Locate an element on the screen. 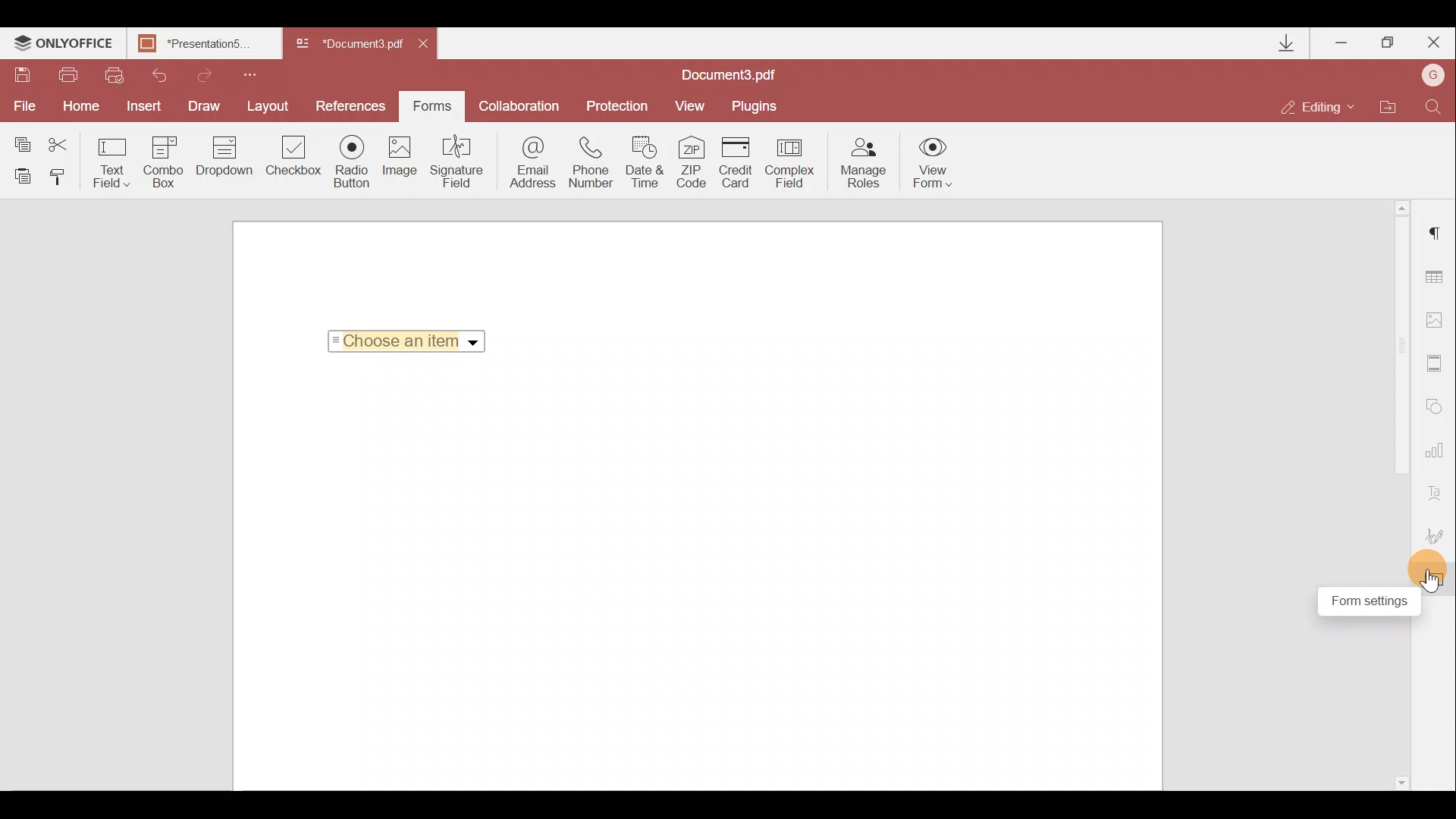 The height and width of the screenshot is (819, 1456). Signature settings is located at coordinates (1438, 540).